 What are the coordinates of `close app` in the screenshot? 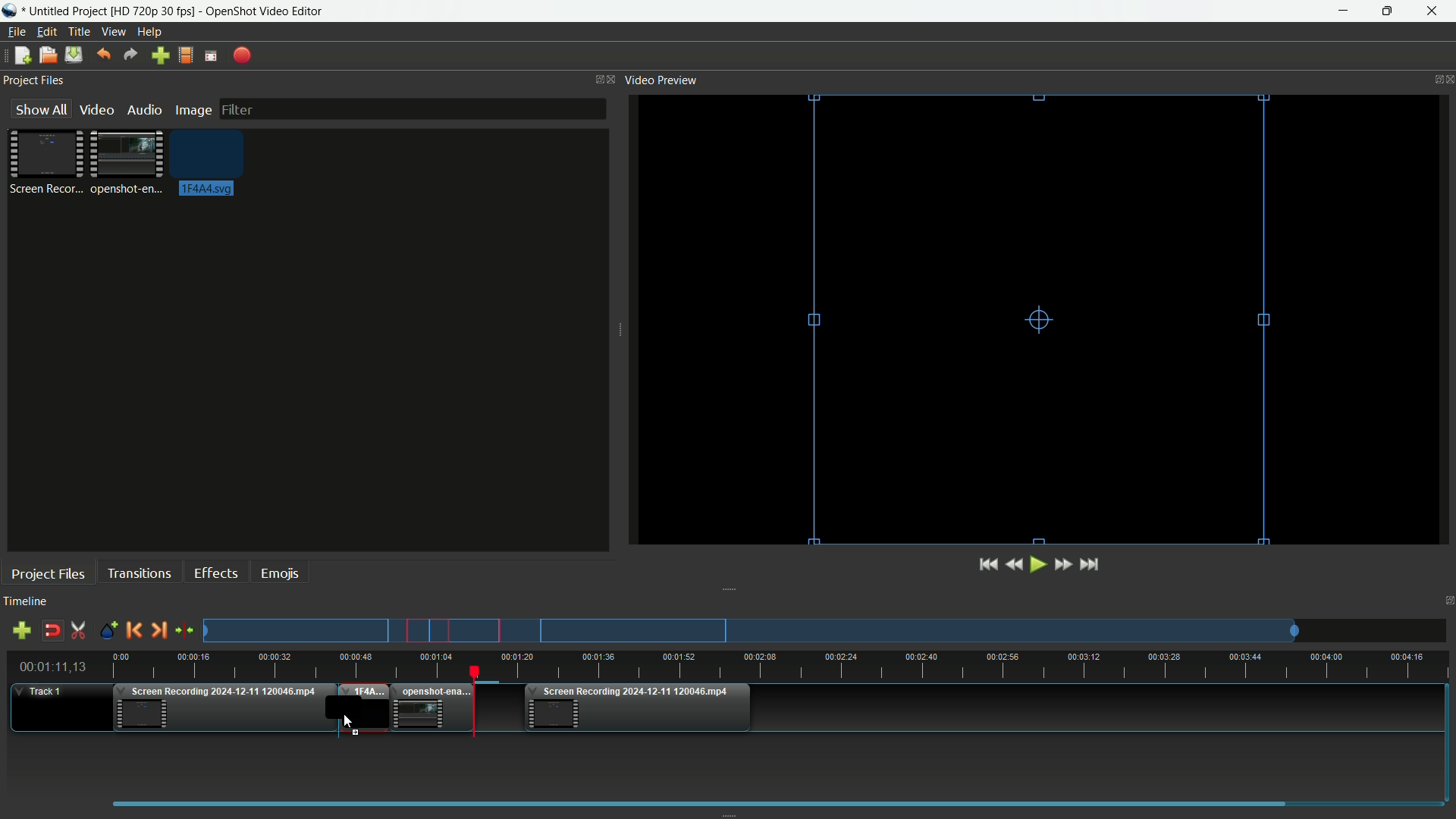 It's located at (1432, 11).